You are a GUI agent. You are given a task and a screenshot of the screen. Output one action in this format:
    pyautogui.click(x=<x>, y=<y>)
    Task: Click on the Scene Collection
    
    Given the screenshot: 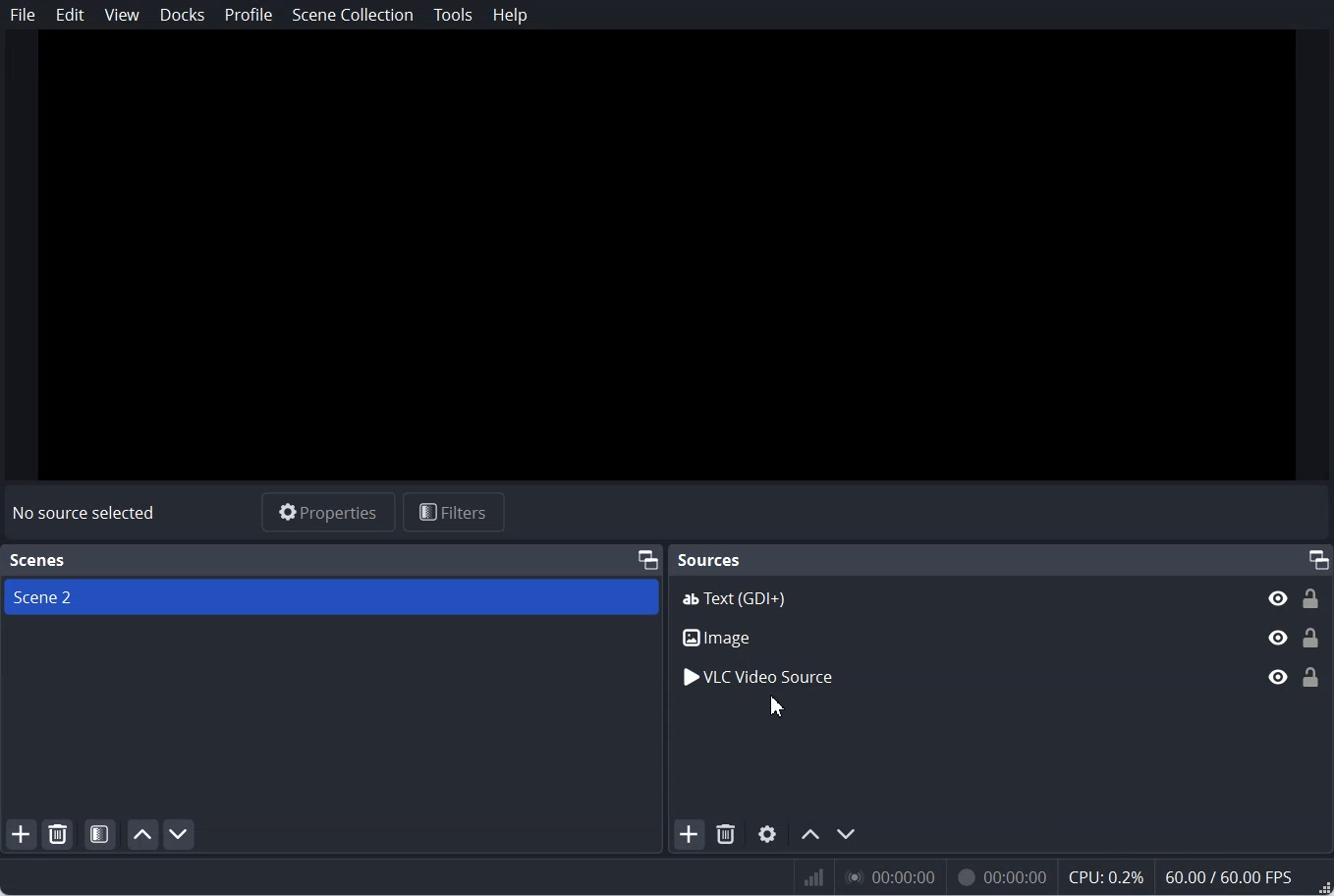 What is the action you would take?
    pyautogui.click(x=354, y=14)
    